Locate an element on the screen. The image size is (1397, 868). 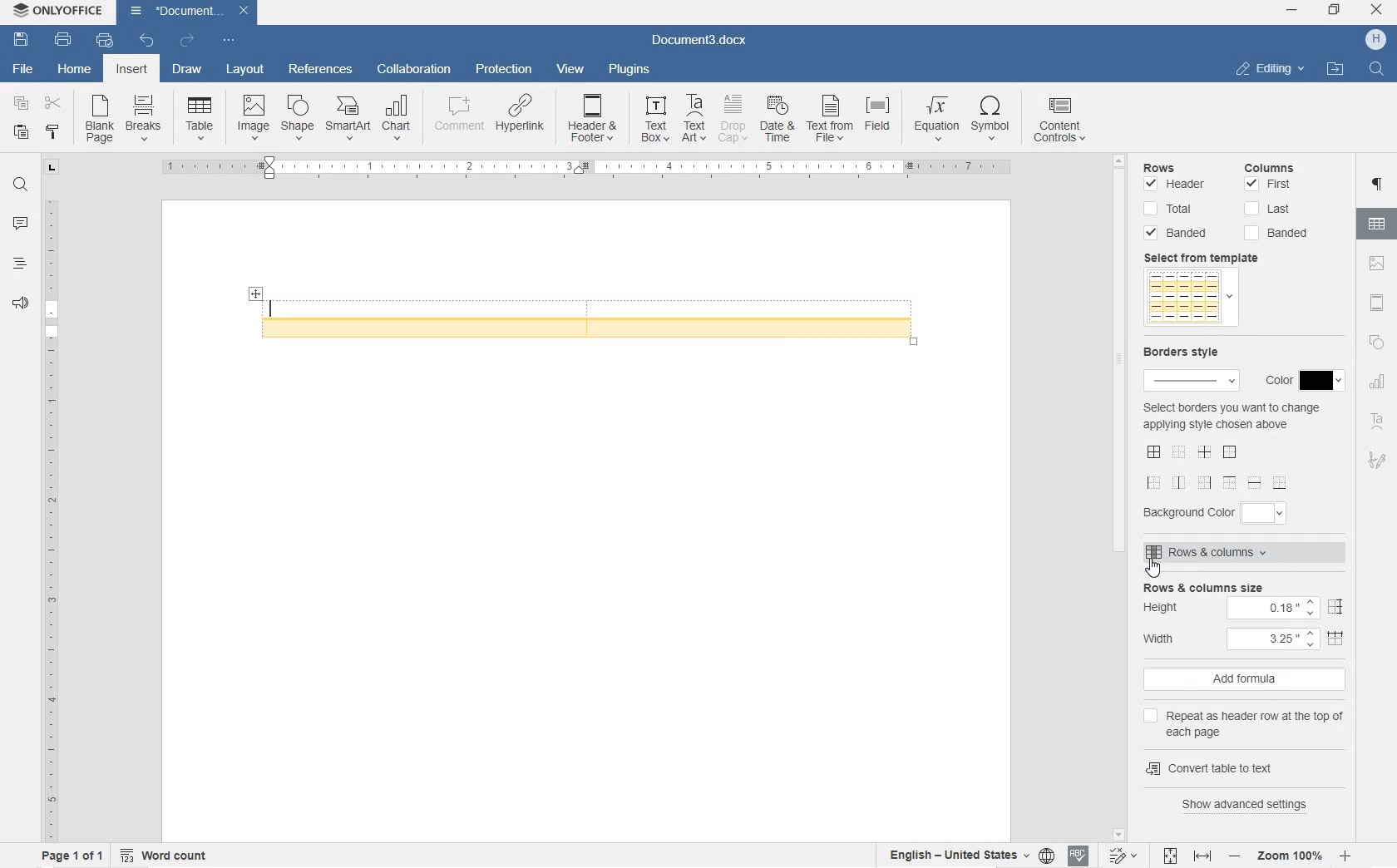
show advanced settings is located at coordinates (1251, 804).